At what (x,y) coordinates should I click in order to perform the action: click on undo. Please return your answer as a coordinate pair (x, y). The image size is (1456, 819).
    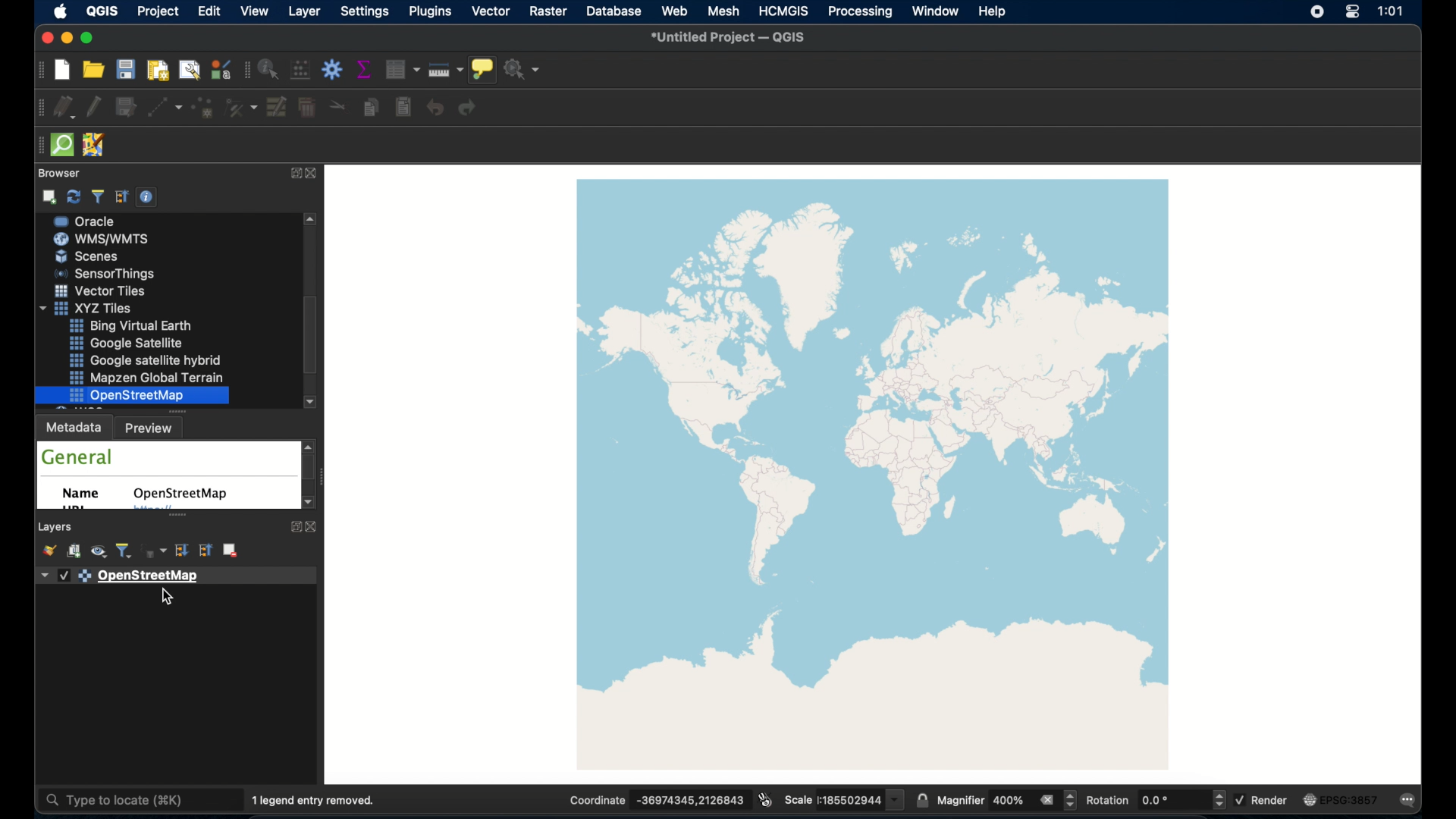
    Looking at the image, I should click on (435, 108).